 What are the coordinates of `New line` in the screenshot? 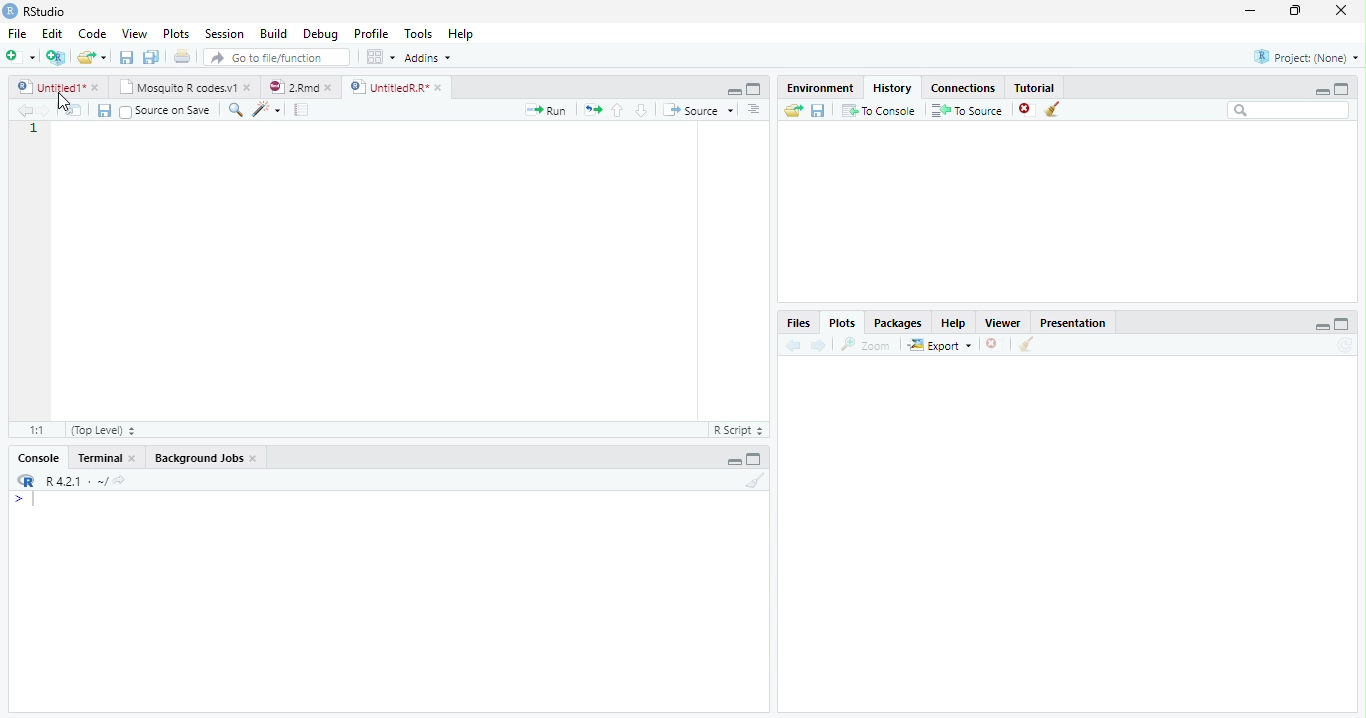 It's located at (24, 499).